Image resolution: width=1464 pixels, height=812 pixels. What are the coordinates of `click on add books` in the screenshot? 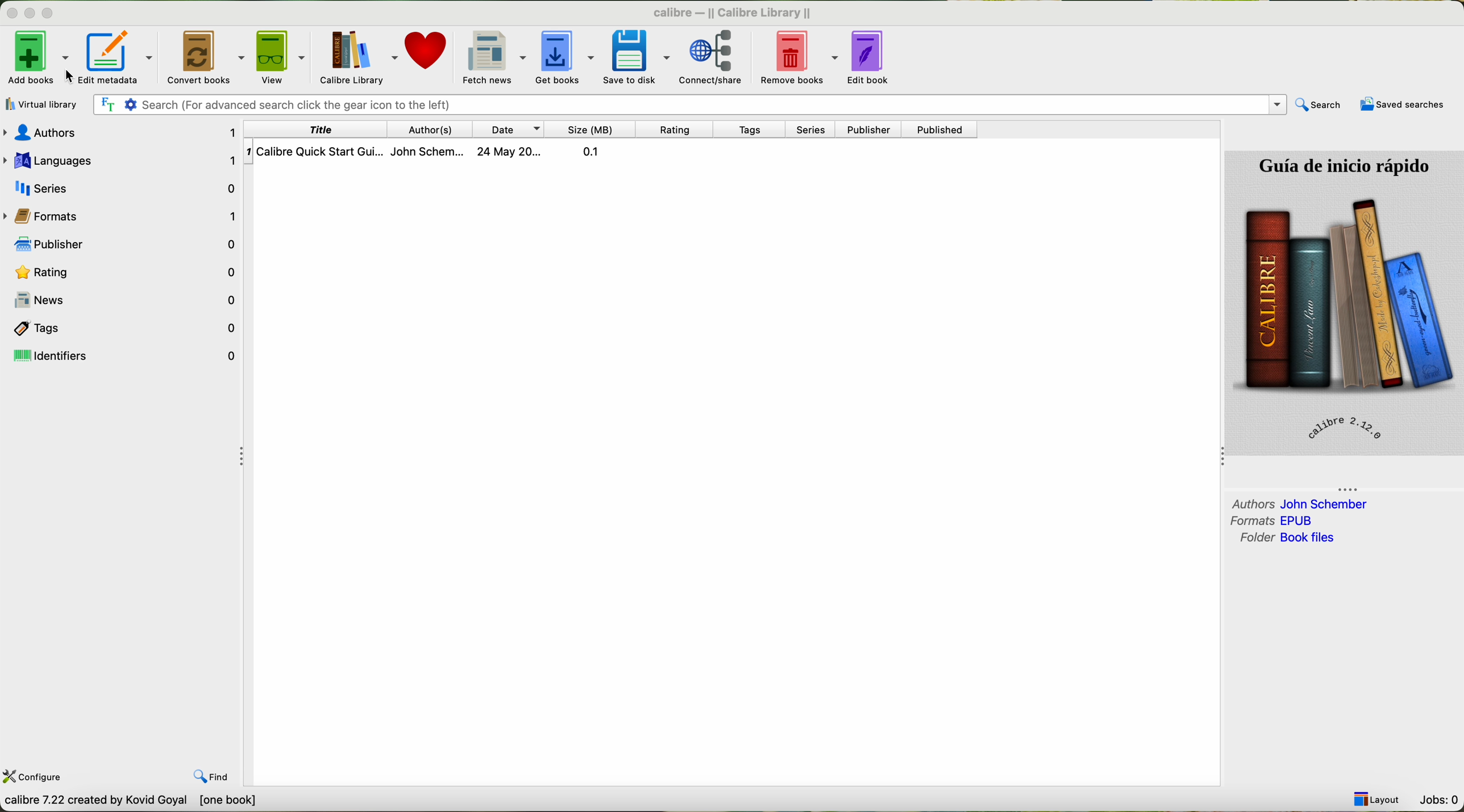 It's located at (38, 56).